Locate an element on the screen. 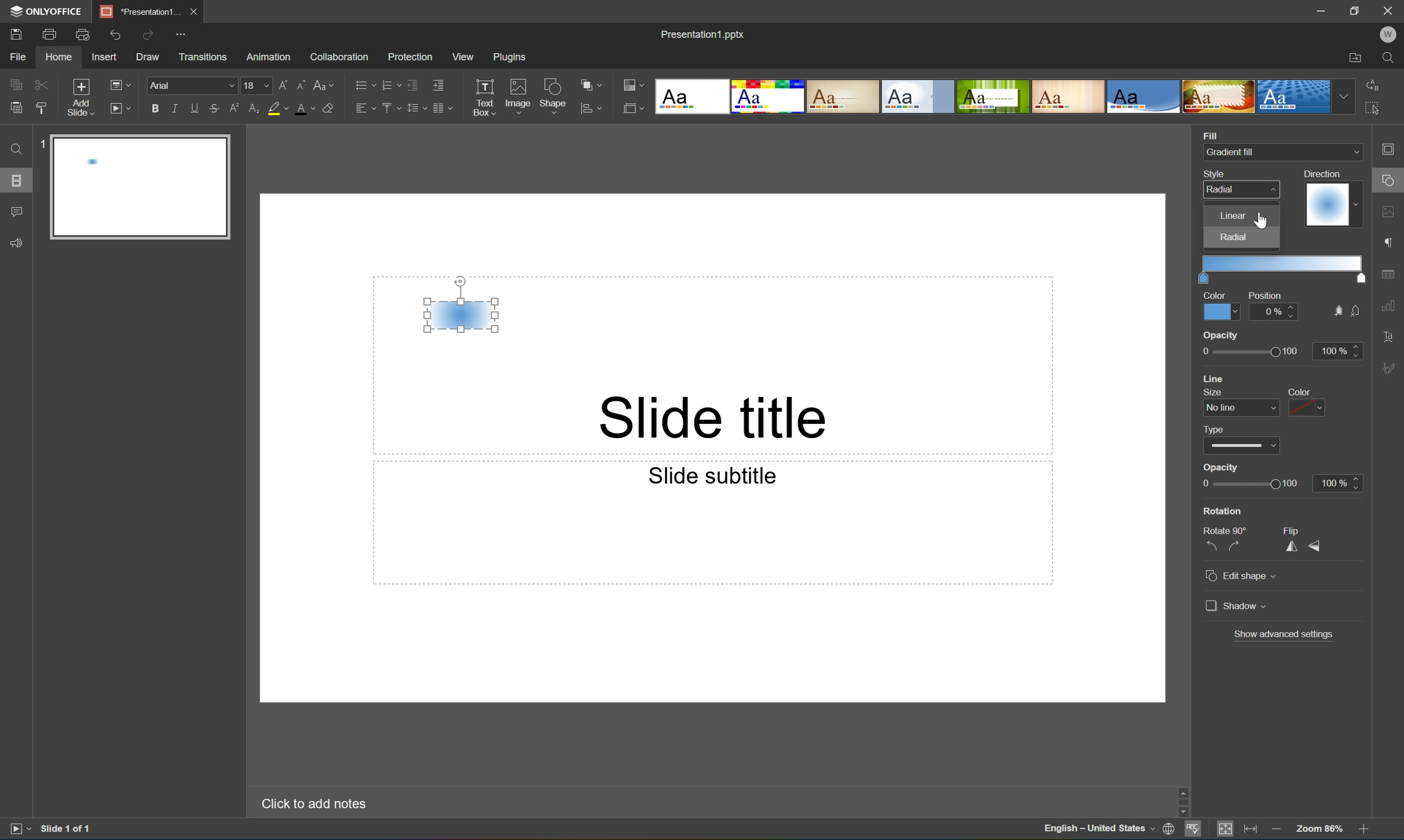 This screenshot has height=840, width=1404. Style is located at coordinates (1216, 173).